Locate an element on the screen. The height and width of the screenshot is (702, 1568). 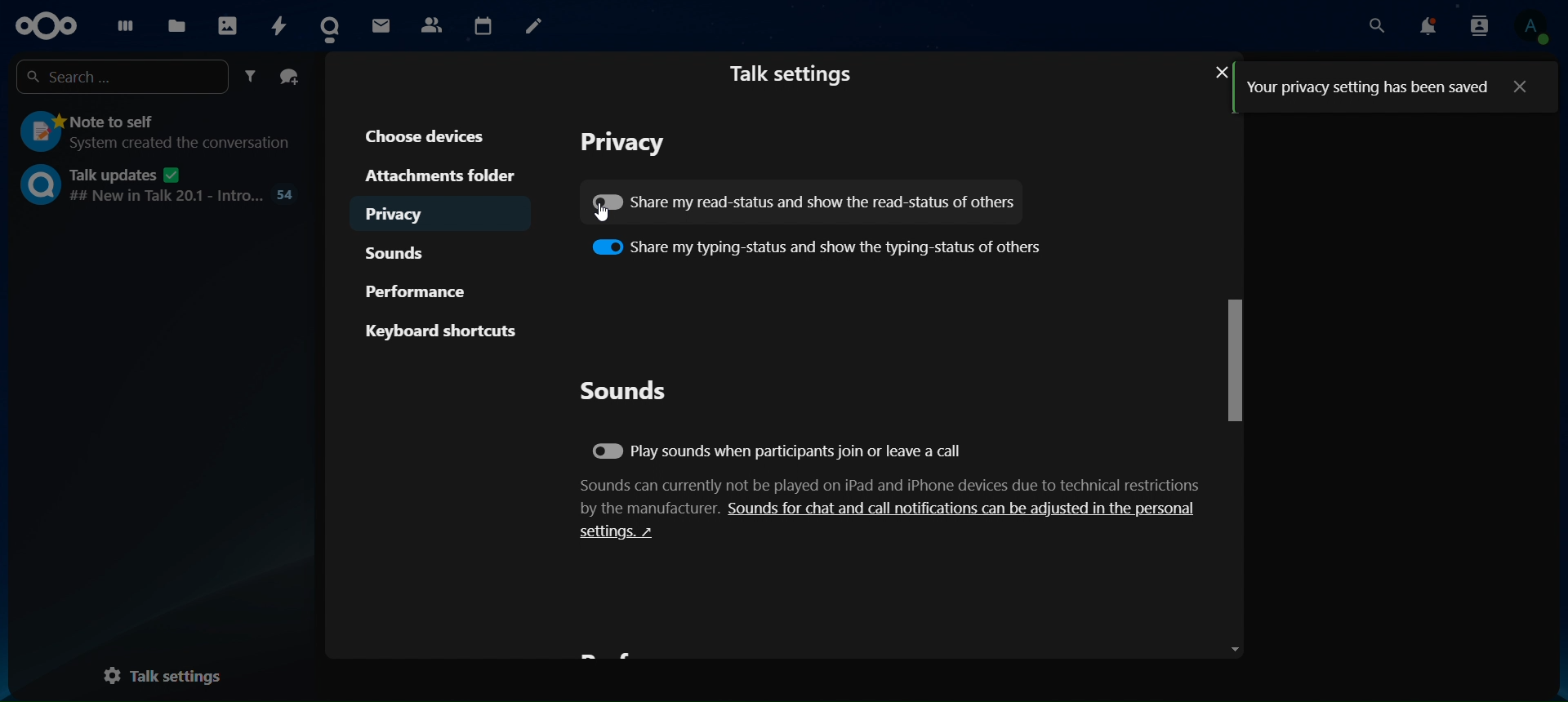
share my read-status and show the read-status of others is located at coordinates (805, 199).